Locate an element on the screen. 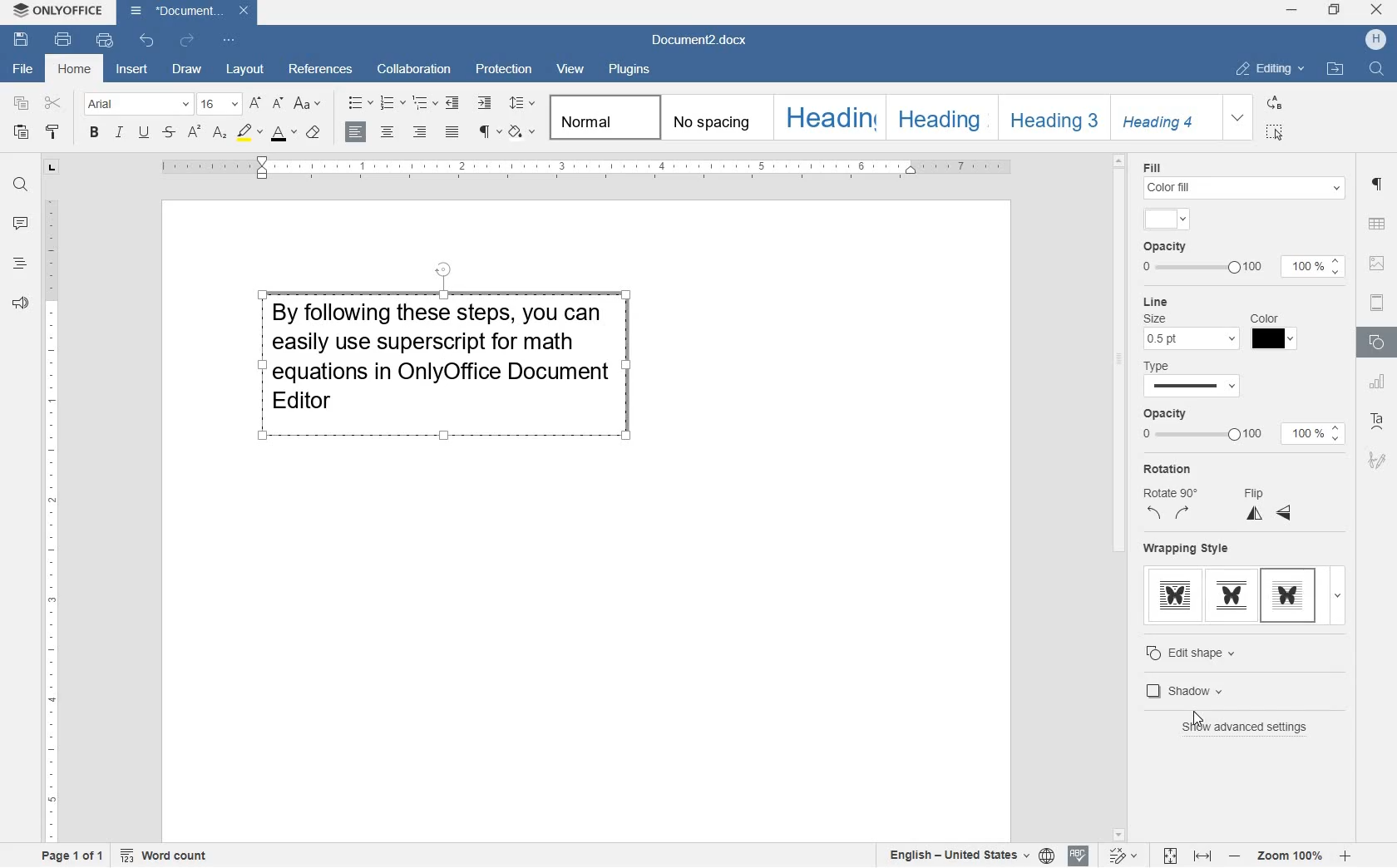 The width and height of the screenshot is (1397, 868). No spacing is located at coordinates (713, 117).